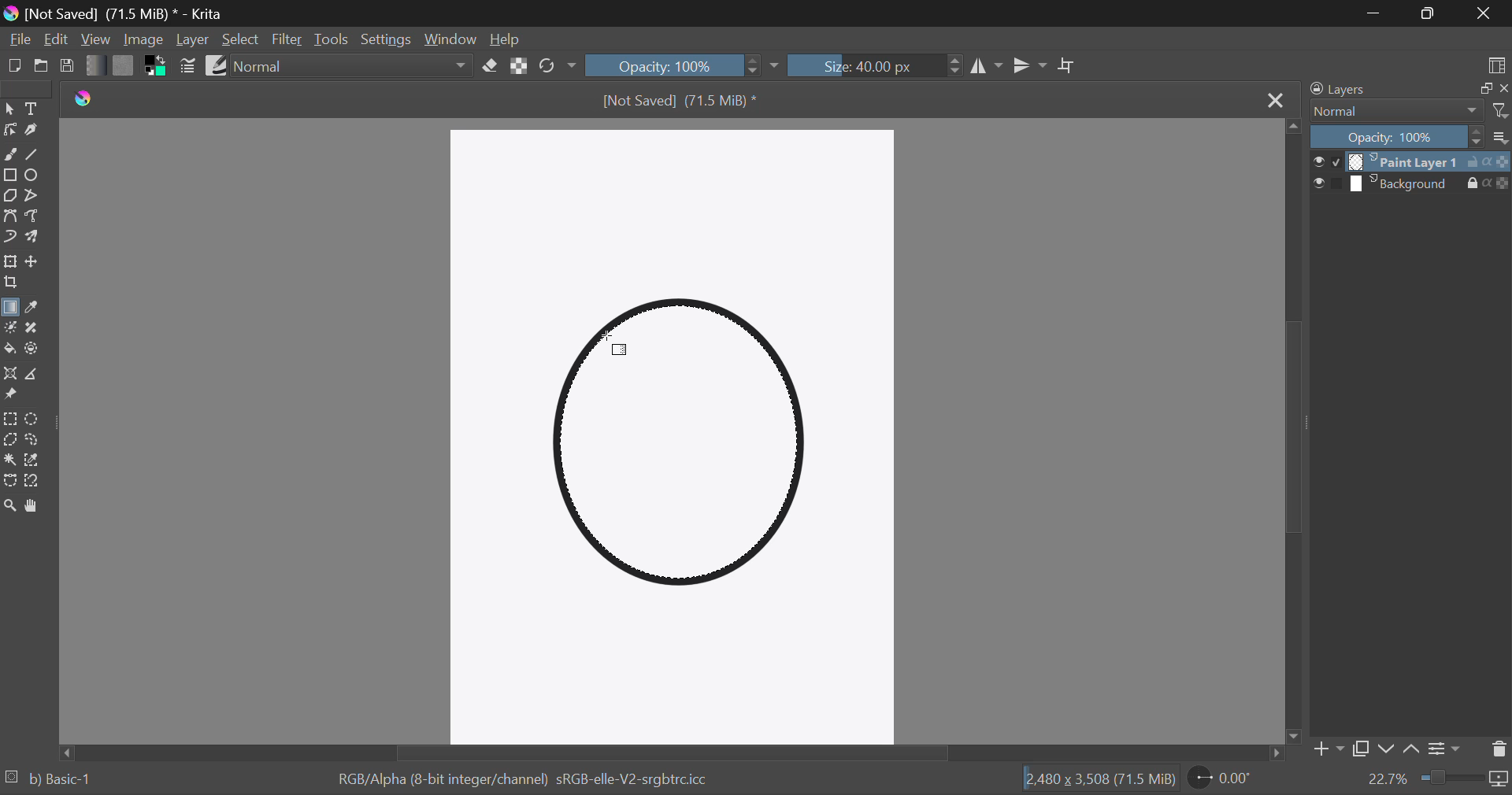  I want to click on Freehand Selection, so click(36, 438).